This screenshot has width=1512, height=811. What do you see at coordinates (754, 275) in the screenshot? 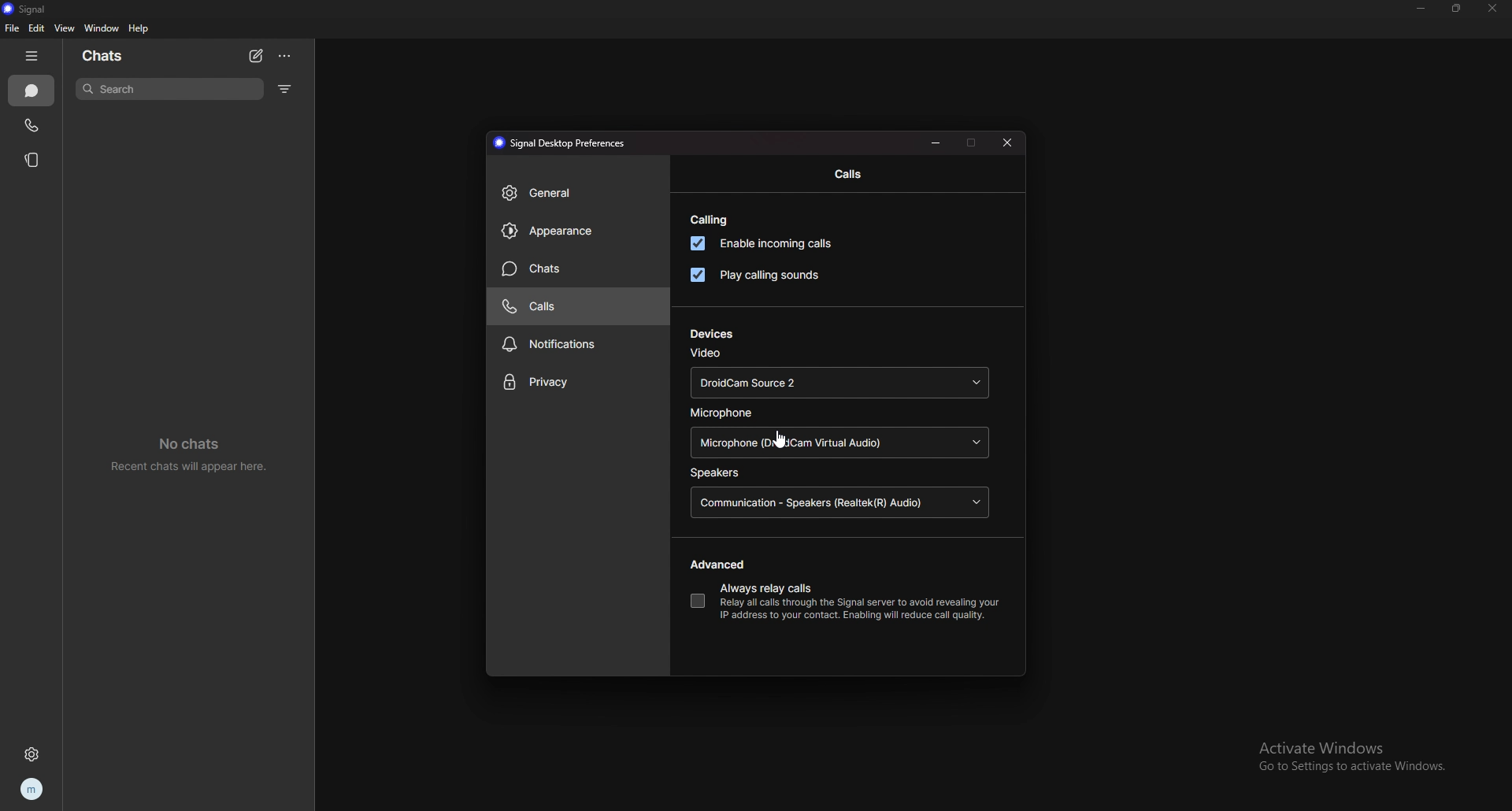
I see `play calling sounds` at bounding box center [754, 275].